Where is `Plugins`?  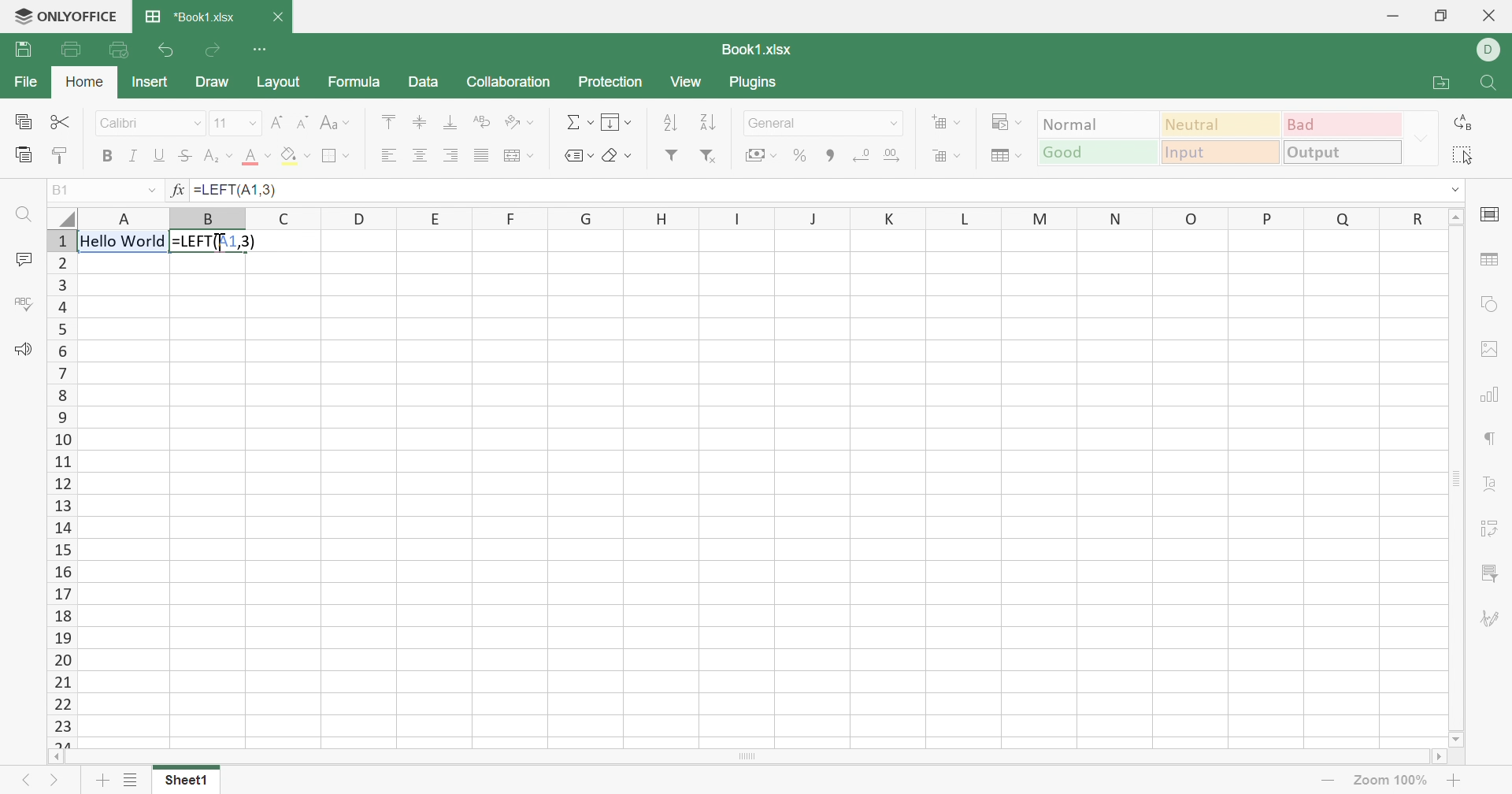
Plugins is located at coordinates (752, 84).